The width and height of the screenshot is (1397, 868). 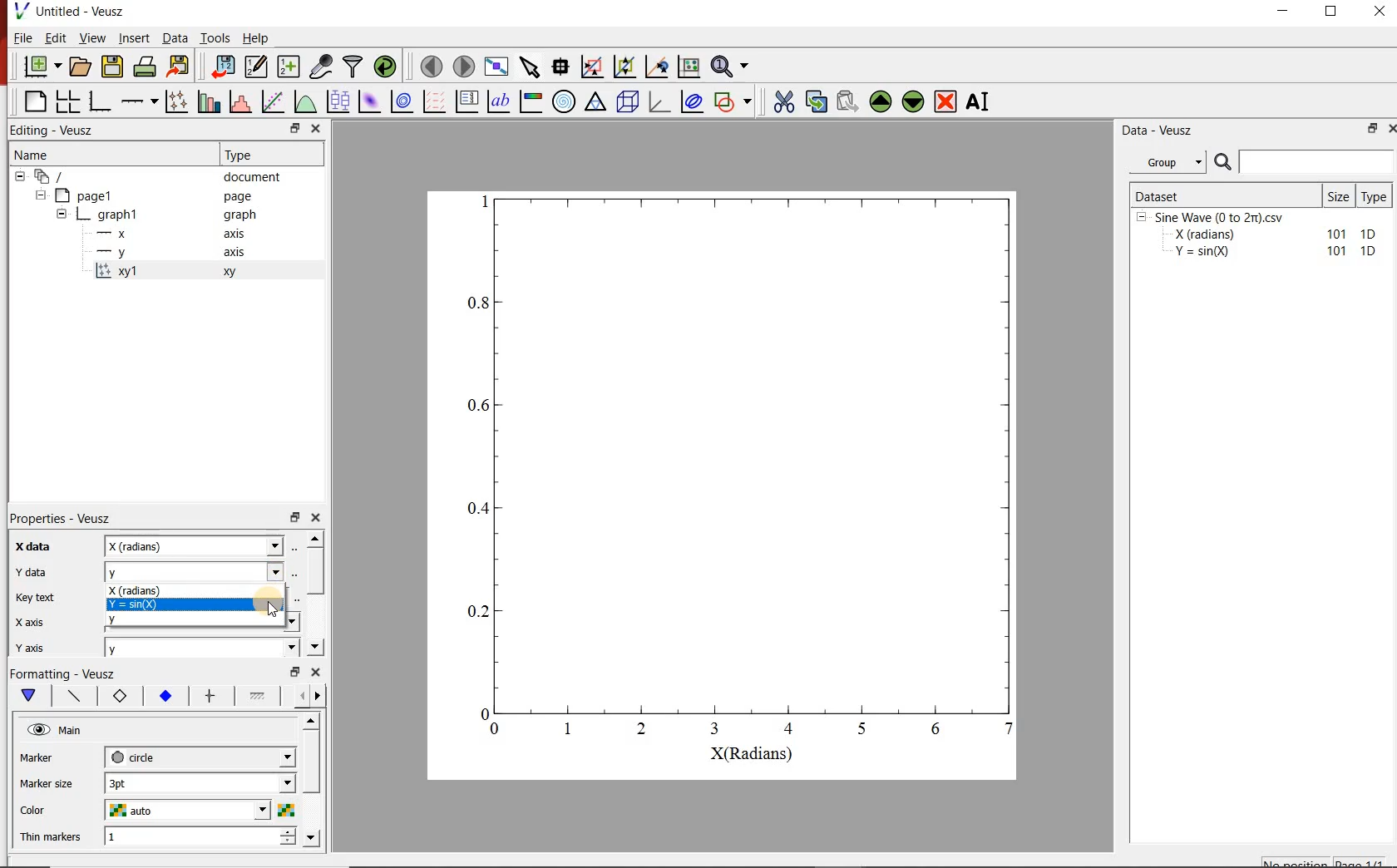 What do you see at coordinates (257, 698) in the screenshot?
I see `options` at bounding box center [257, 698].